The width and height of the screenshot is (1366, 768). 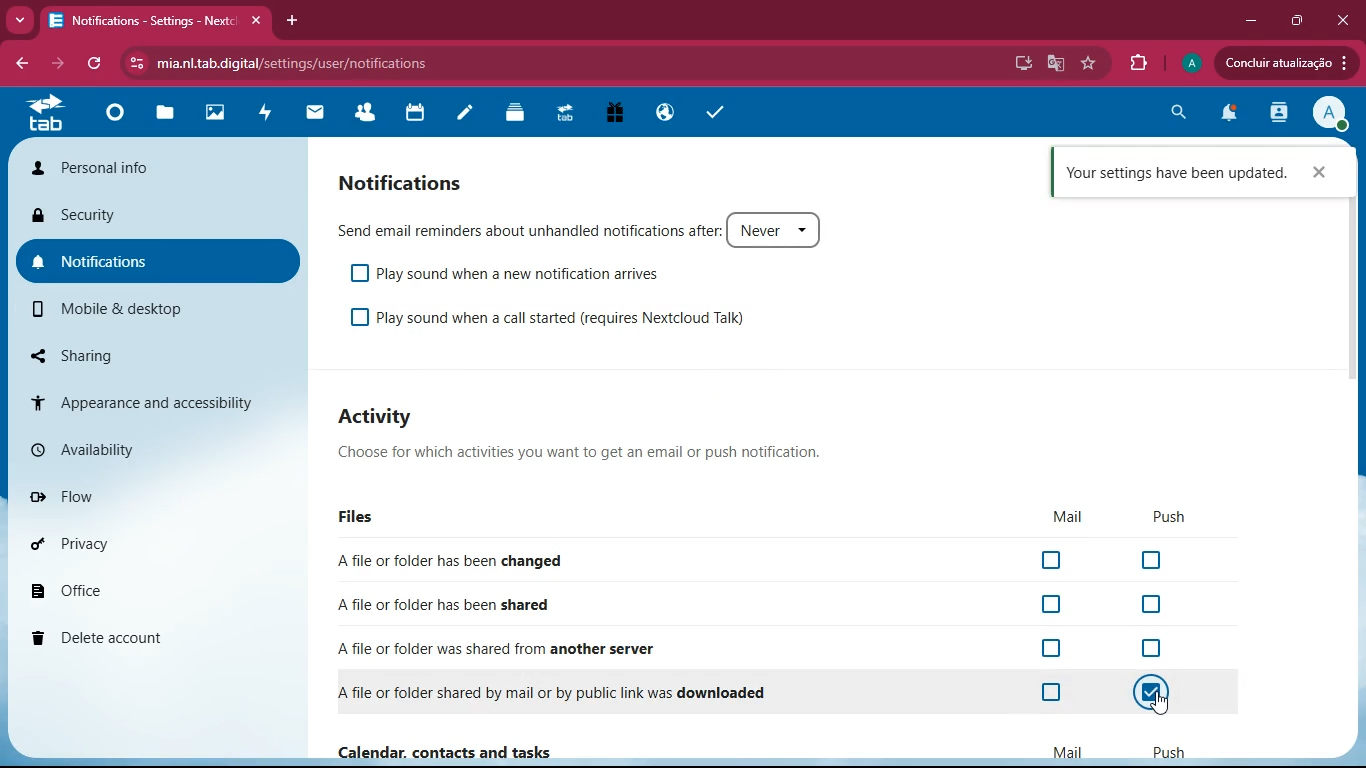 What do you see at coordinates (266, 116) in the screenshot?
I see `activity` at bounding box center [266, 116].